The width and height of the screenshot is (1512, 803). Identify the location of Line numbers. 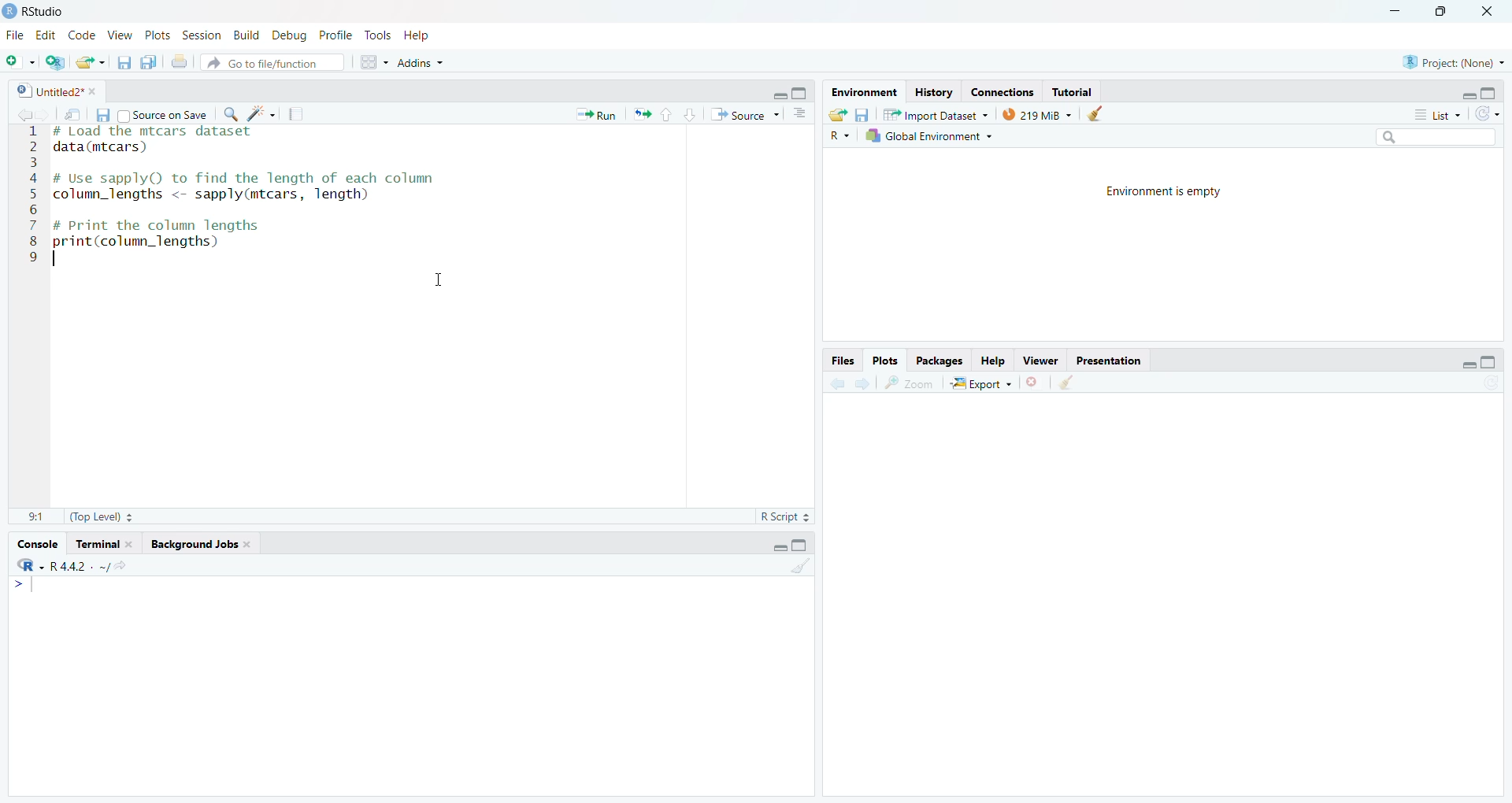
(28, 196).